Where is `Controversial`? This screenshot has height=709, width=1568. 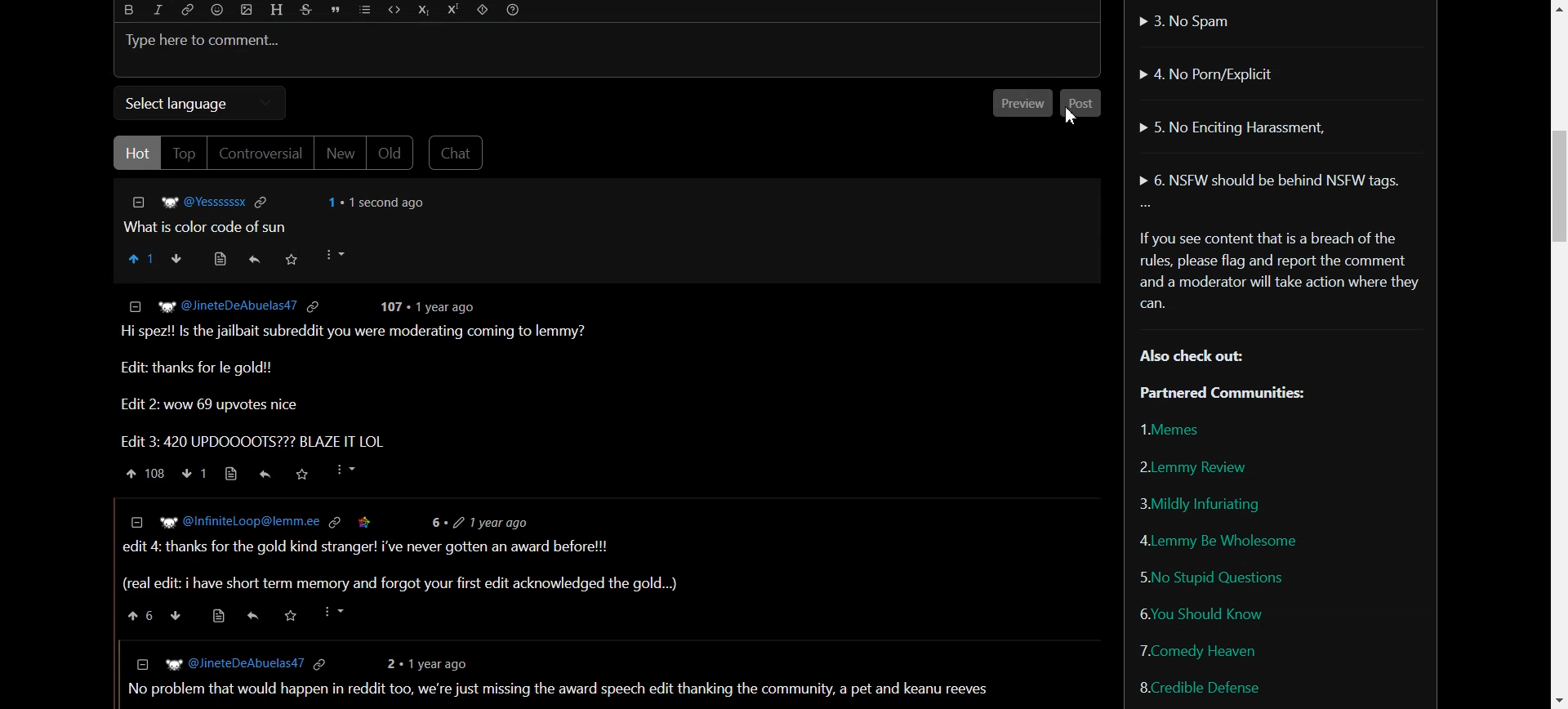
Controversial is located at coordinates (261, 153).